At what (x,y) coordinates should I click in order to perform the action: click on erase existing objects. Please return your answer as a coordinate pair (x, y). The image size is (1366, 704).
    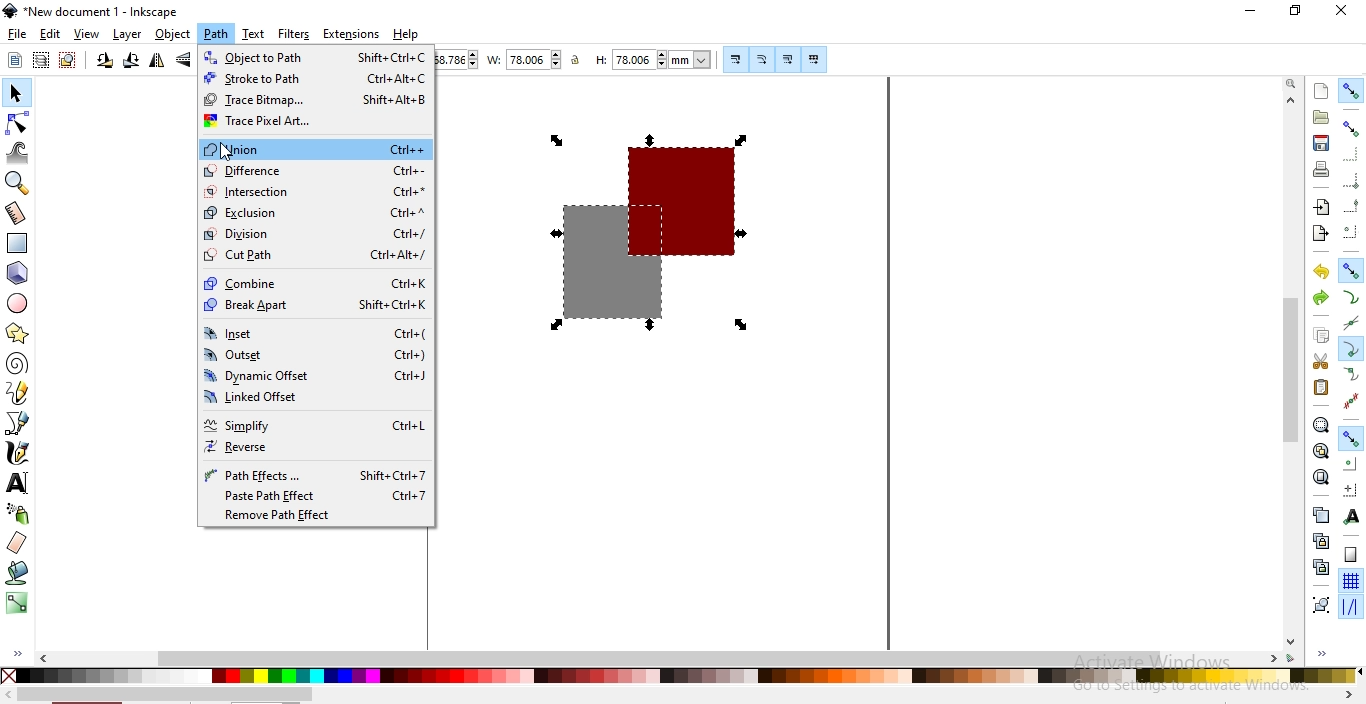
    Looking at the image, I should click on (16, 542).